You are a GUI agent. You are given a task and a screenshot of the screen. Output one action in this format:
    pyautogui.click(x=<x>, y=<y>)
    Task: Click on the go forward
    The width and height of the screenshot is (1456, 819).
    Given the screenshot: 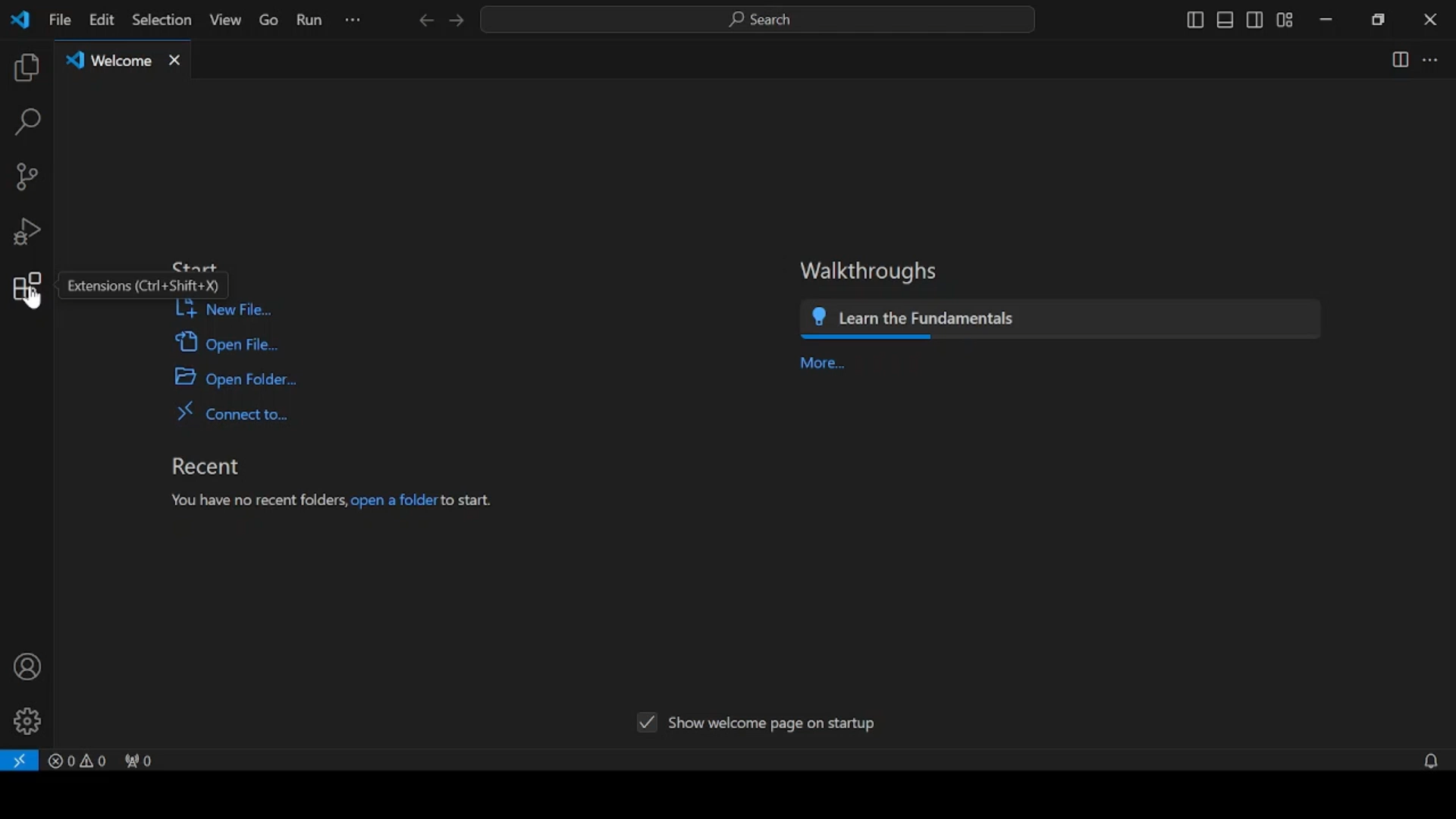 What is the action you would take?
    pyautogui.click(x=457, y=20)
    